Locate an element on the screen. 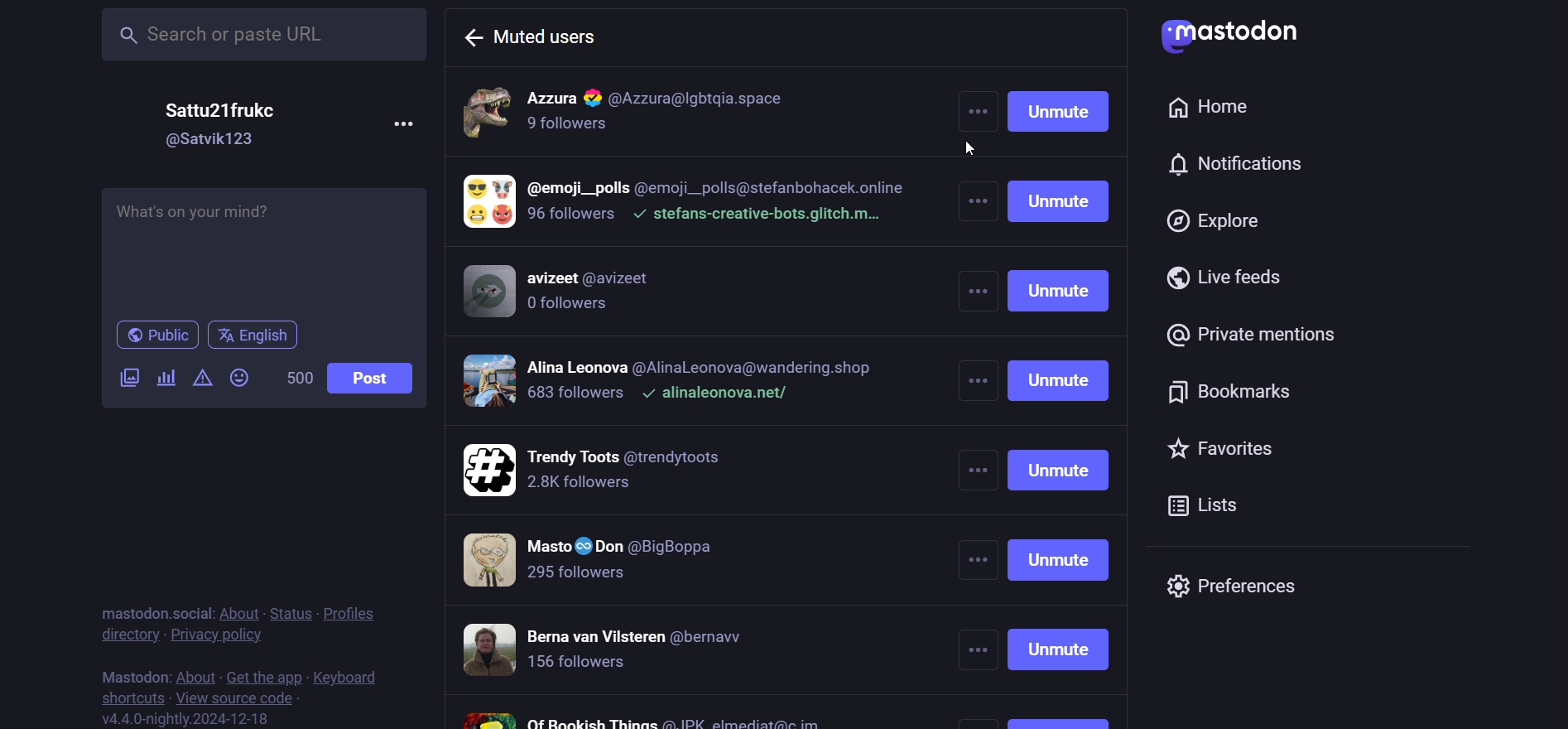  logo is located at coordinates (1229, 34).